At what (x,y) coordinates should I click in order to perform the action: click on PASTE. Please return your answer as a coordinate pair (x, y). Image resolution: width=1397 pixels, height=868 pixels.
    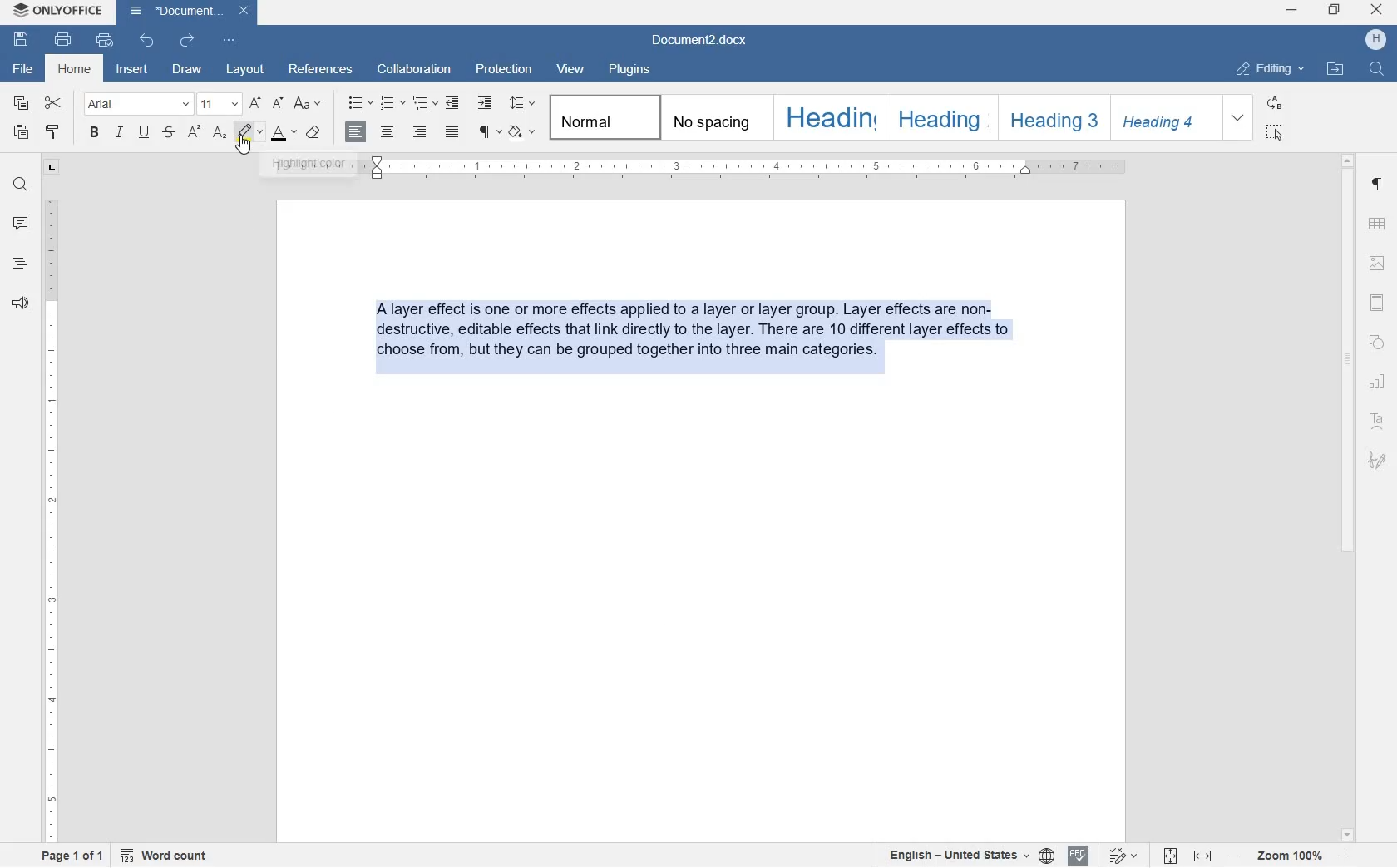
    Looking at the image, I should click on (23, 133).